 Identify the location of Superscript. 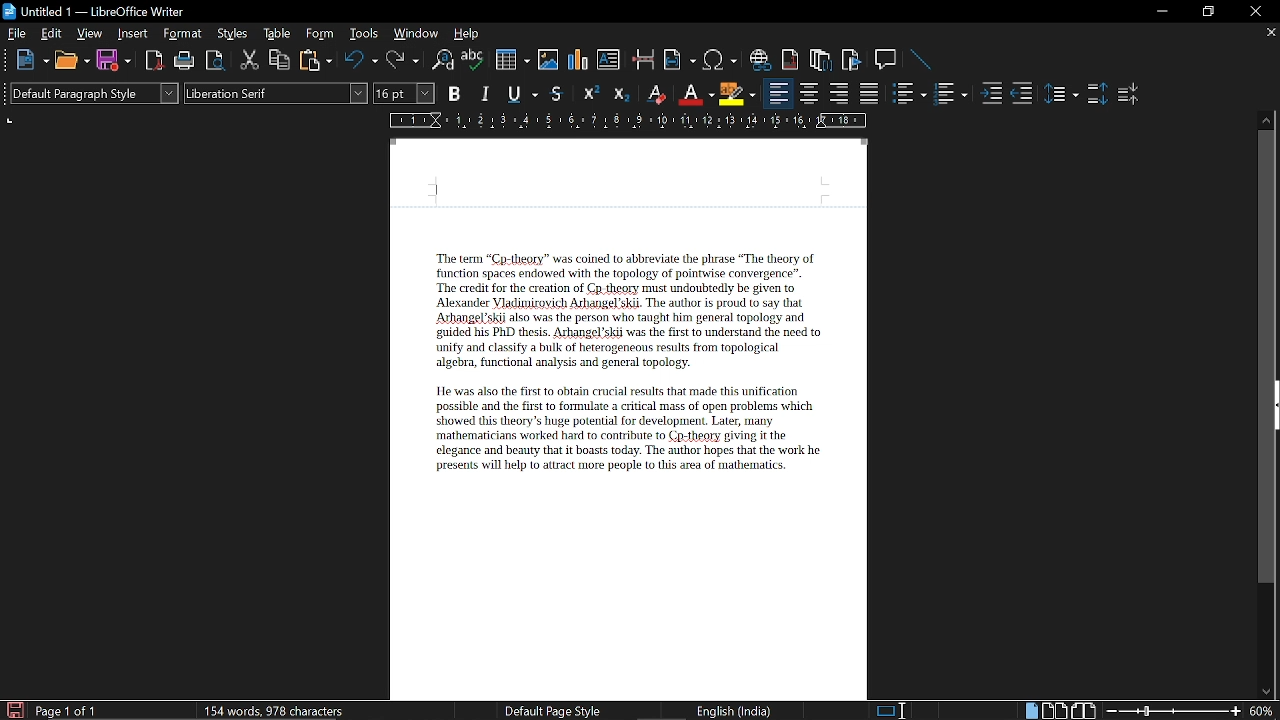
(590, 92).